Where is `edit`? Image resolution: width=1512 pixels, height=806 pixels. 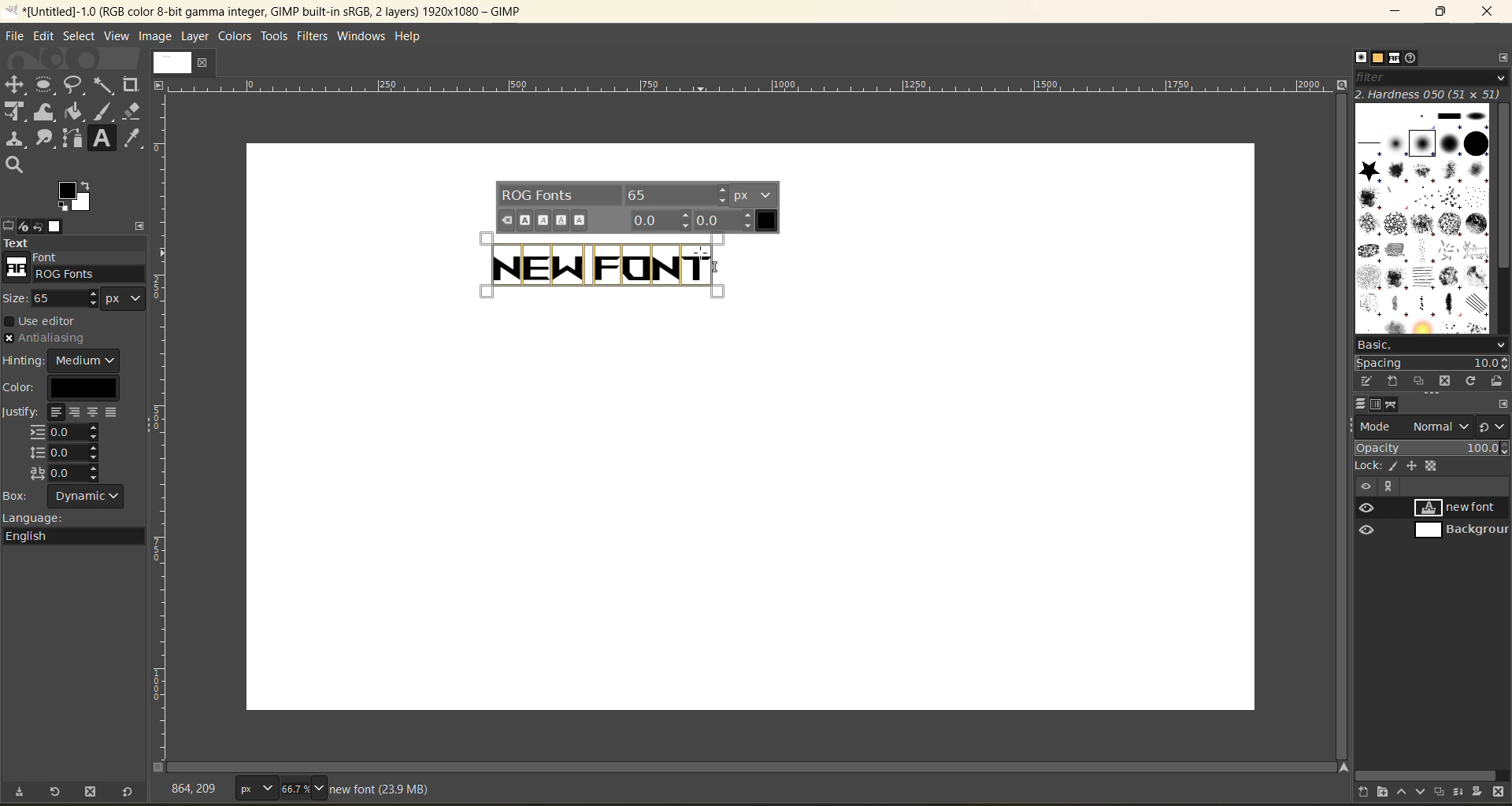 edit is located at coordinates (41, 35).